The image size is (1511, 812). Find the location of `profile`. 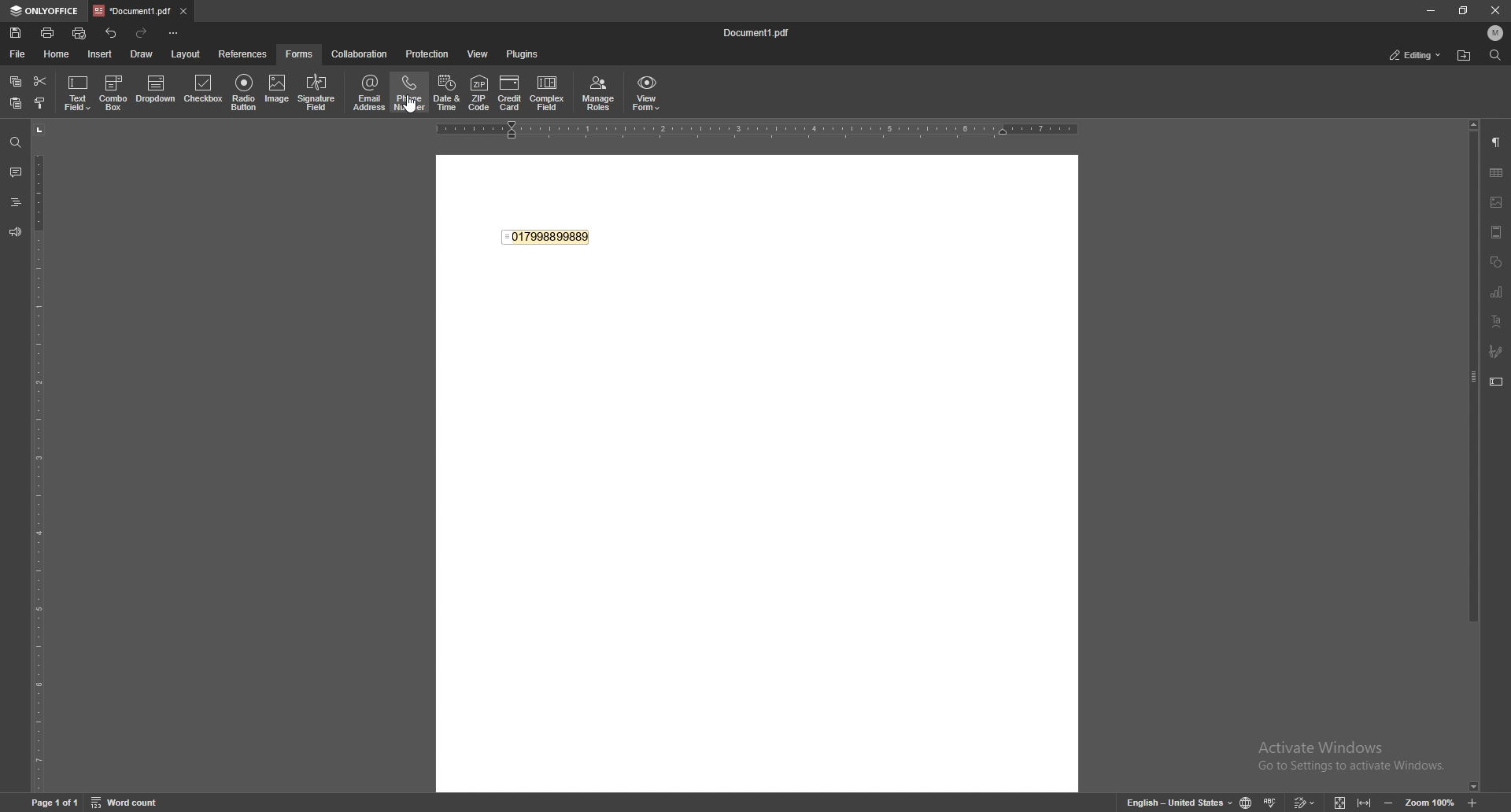

profile is located at coordinates (1495, 33).